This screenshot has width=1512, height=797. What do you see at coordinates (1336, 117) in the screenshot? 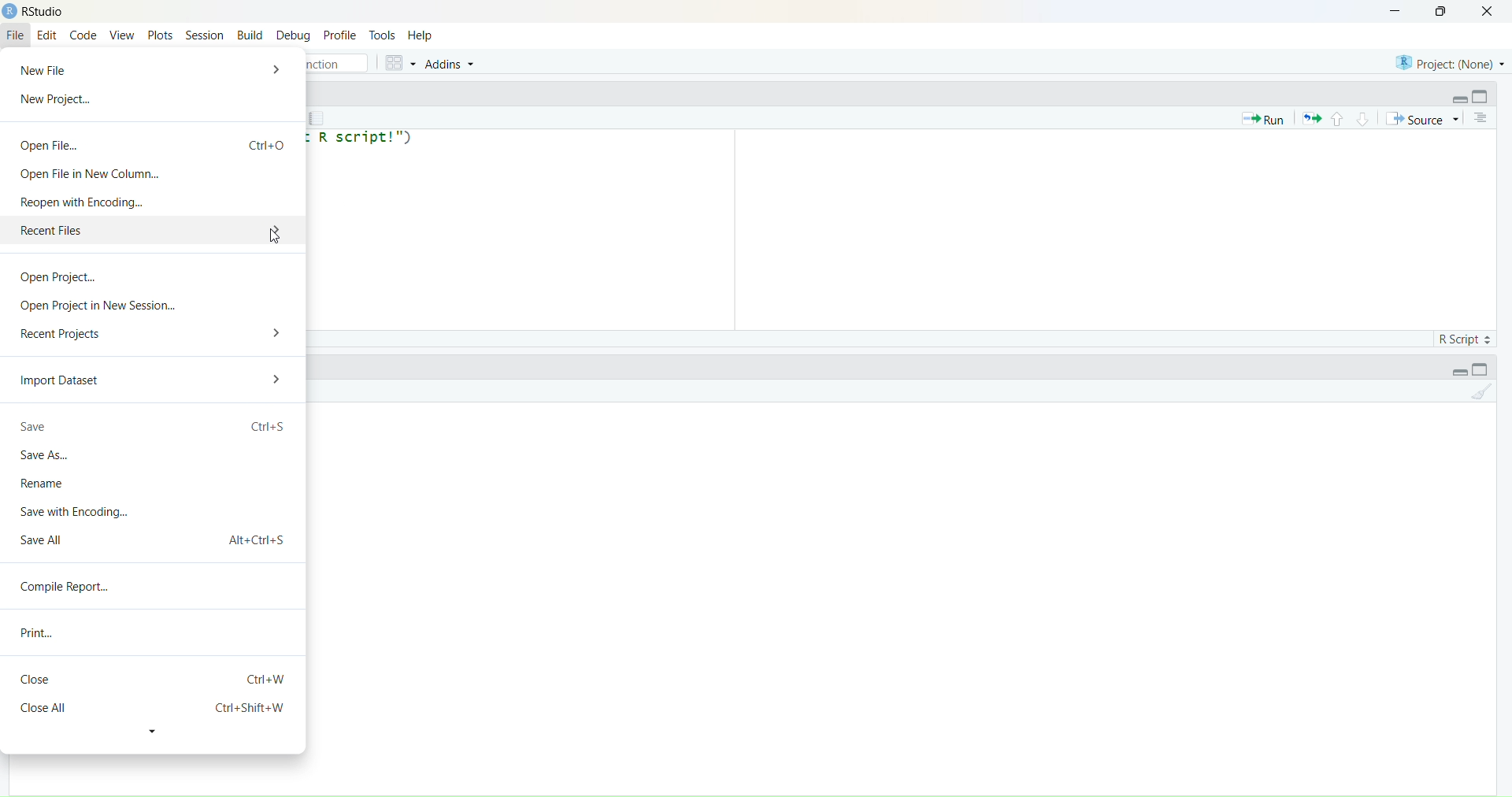
I see `Go to previous section/chunk (Ctrl + PgUp)` at bounding box center [1336, 117].